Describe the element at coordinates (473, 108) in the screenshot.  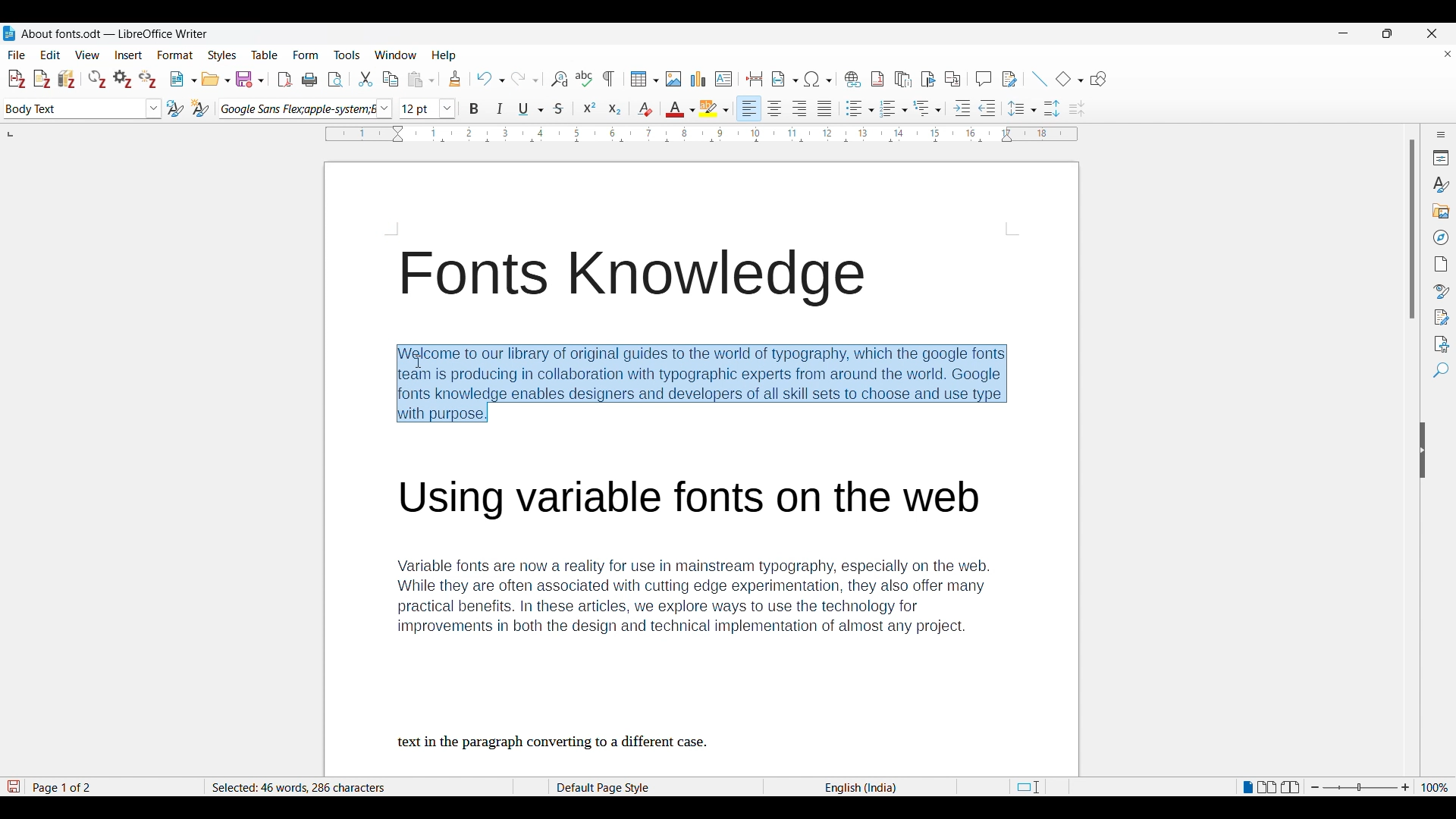
I see `Bold` at that location.